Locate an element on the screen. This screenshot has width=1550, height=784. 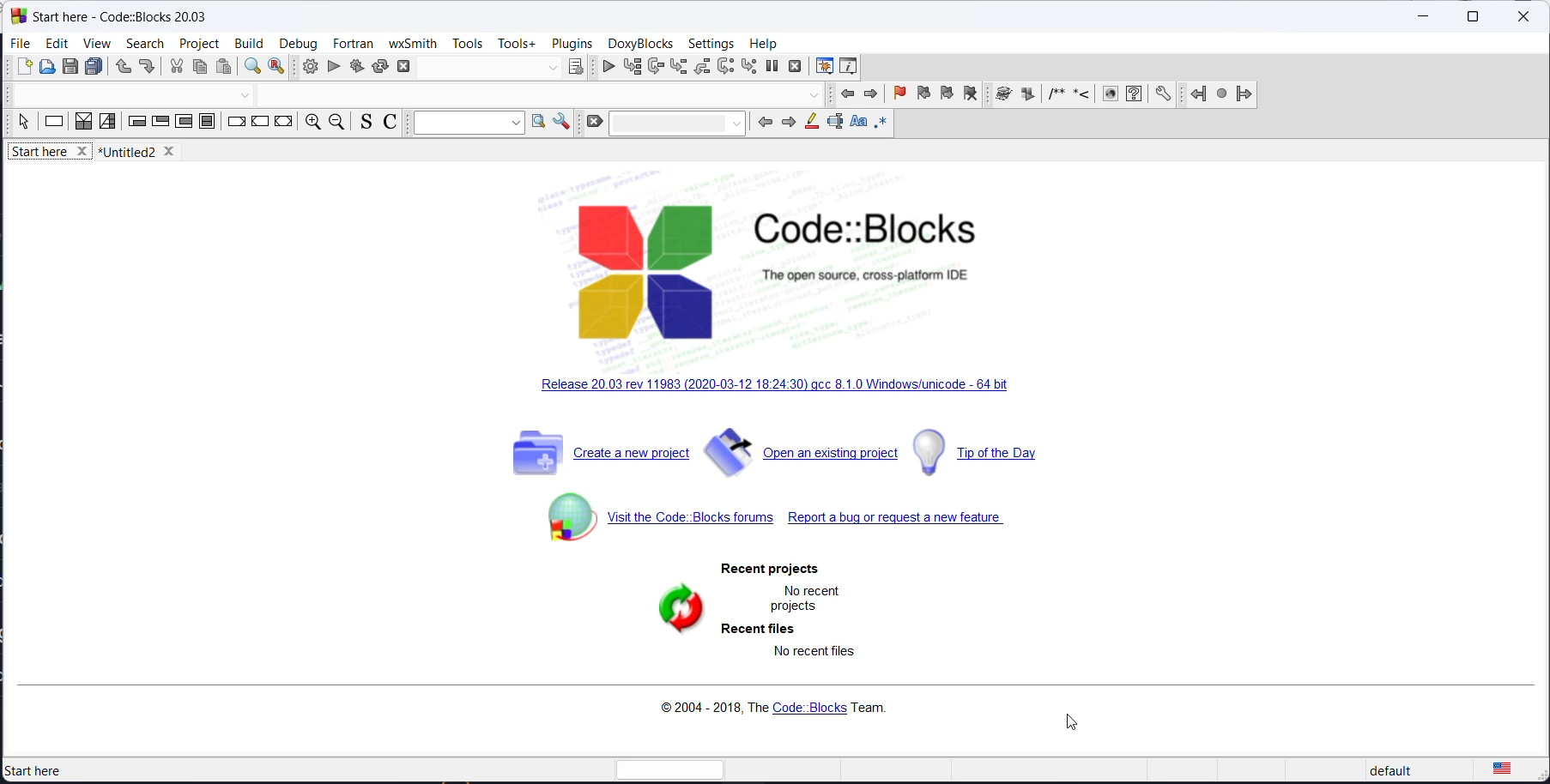
next is located at coordinates (785, 124).